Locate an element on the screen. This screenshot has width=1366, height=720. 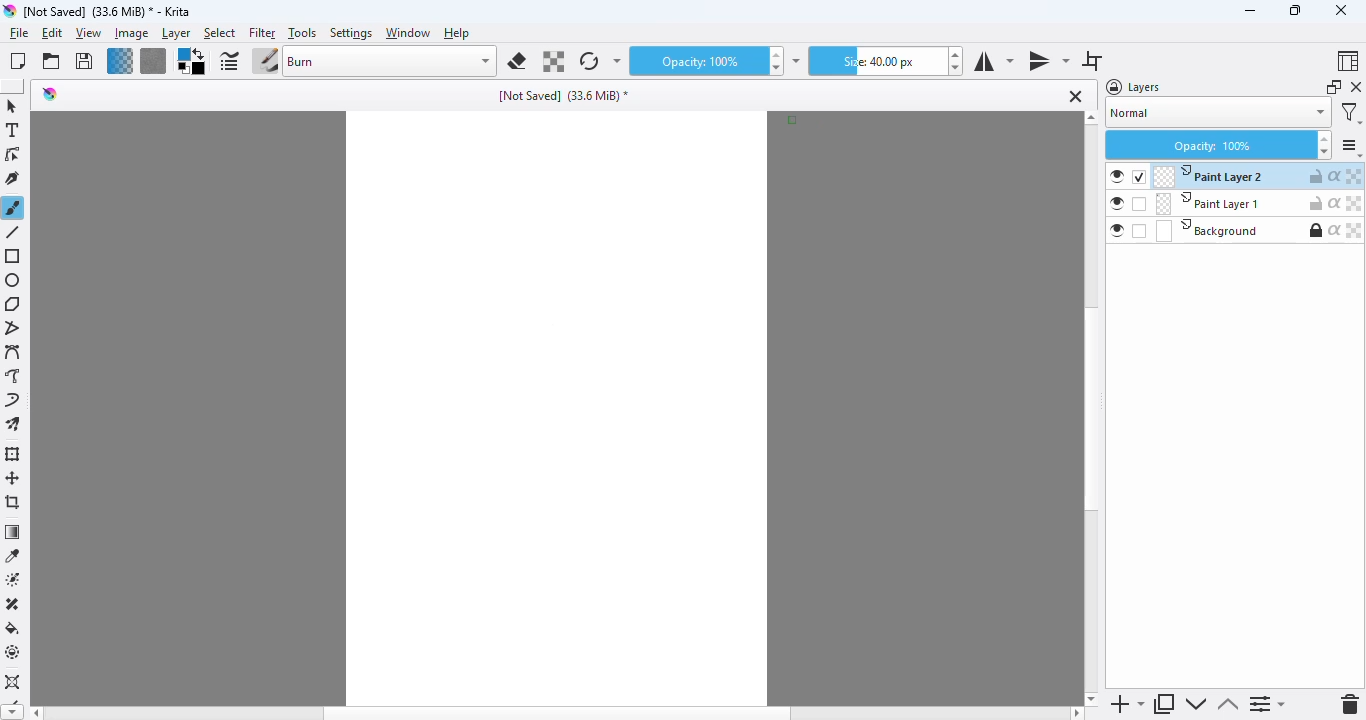
mirror tool is located at coordinates (1048, 60).